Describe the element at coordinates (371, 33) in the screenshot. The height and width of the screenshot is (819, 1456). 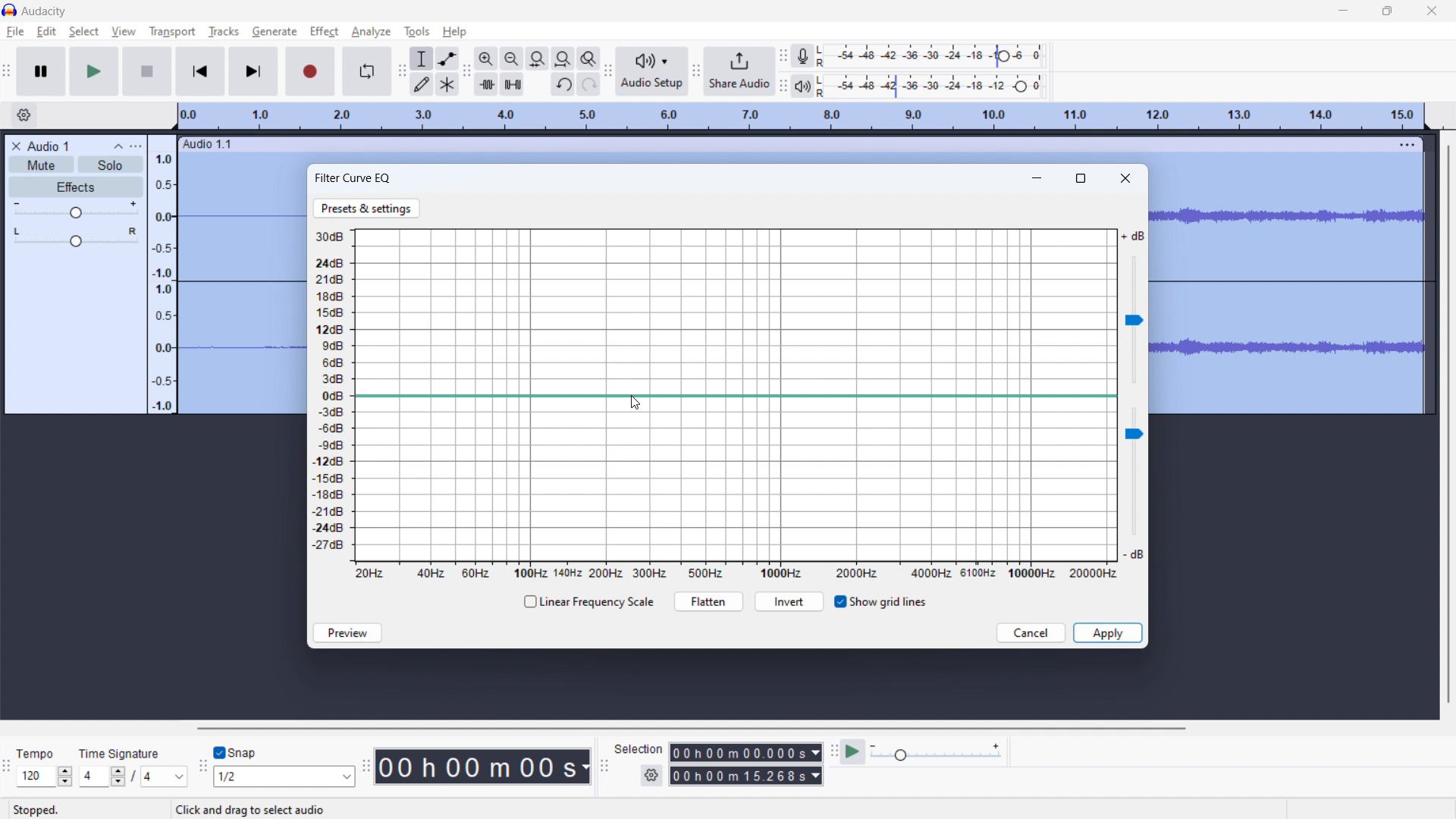
I see `analyze` at that location.